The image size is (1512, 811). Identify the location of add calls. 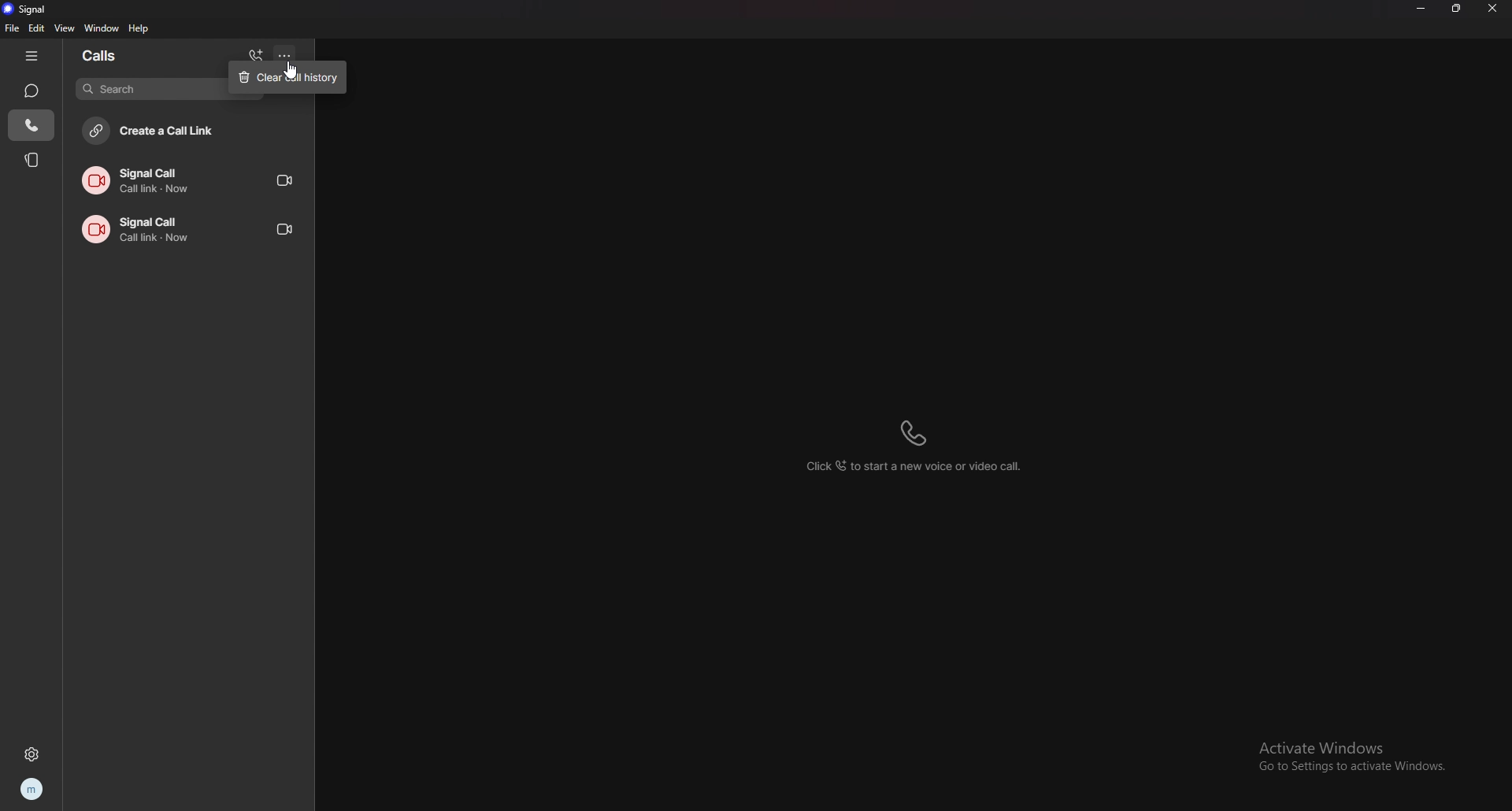
(258, 53).